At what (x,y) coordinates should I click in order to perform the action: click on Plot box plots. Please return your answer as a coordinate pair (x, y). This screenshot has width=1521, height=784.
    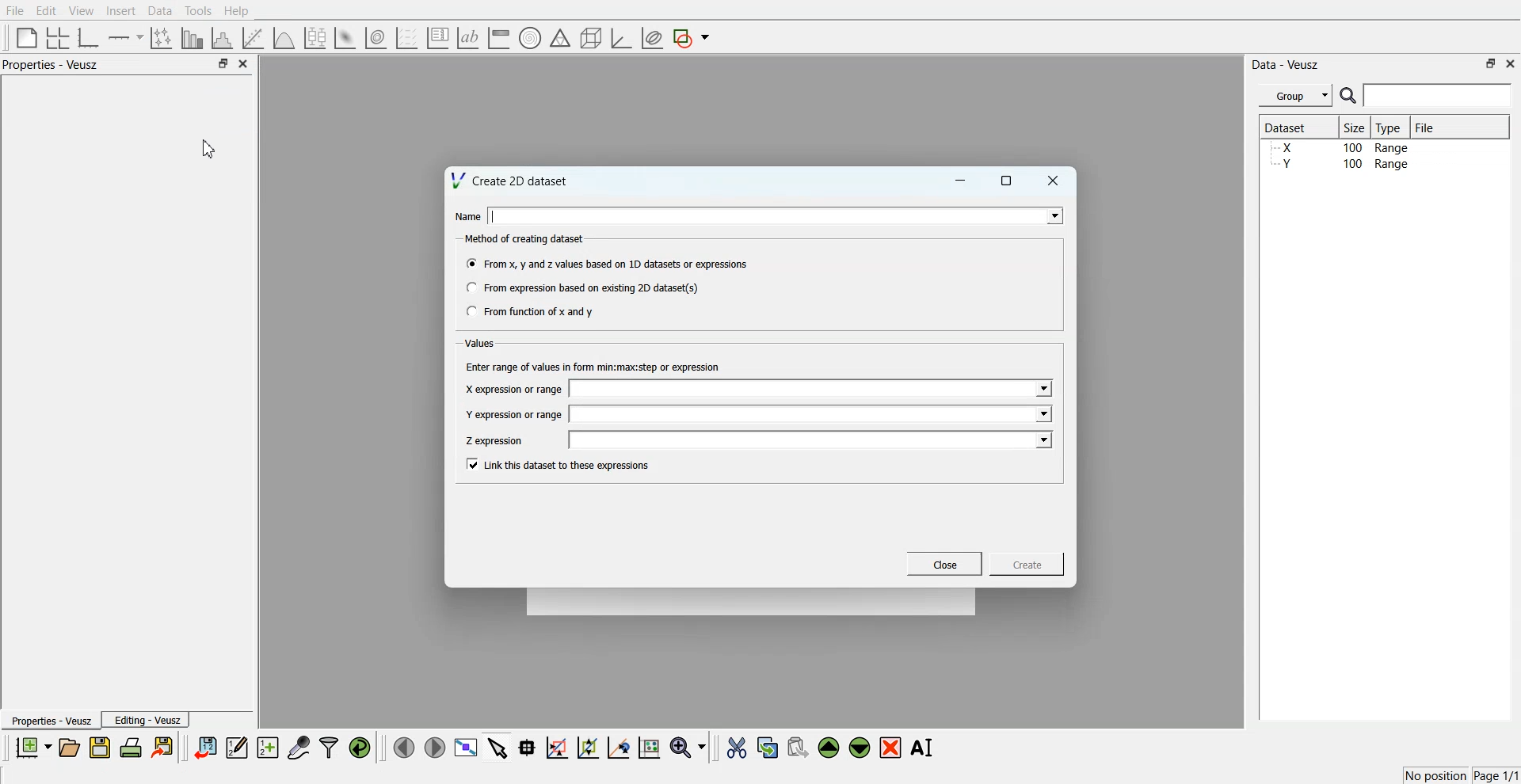
    Looking at the image, I should click on (315, 38).